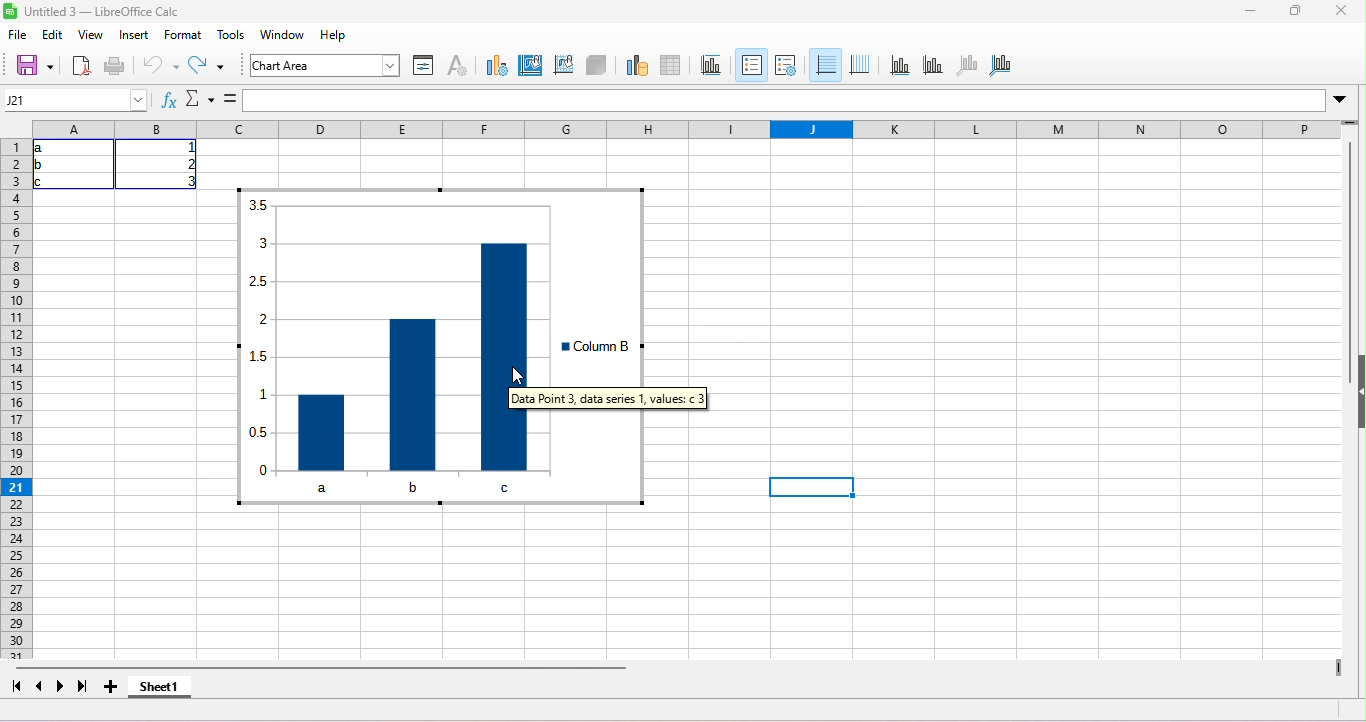 This screenshot has height=722, width=1366. Describe the element at coordinates (86, 689) in the screenshot. I see `last sheet` at that location.